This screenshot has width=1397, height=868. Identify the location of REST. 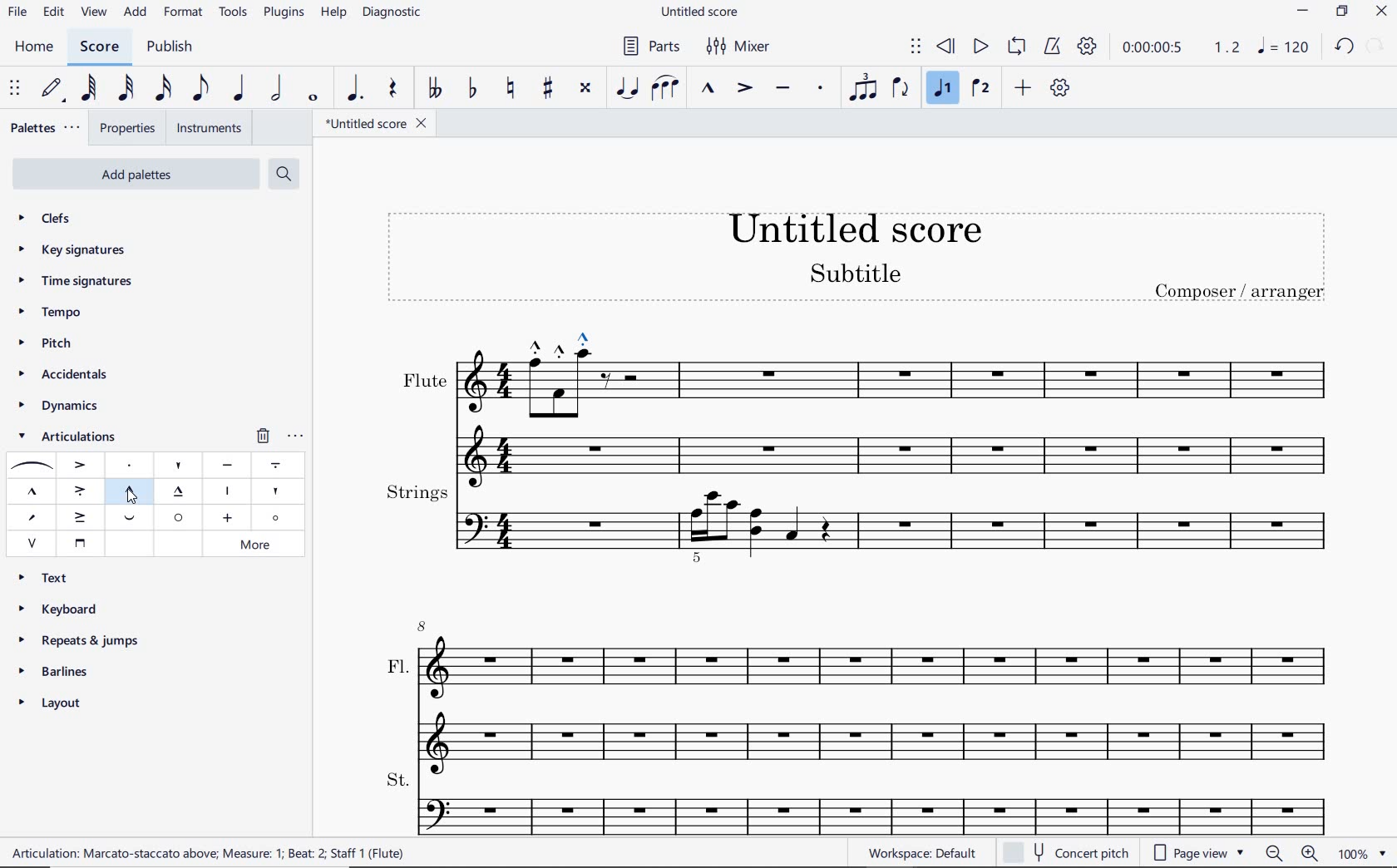
(393, 90).